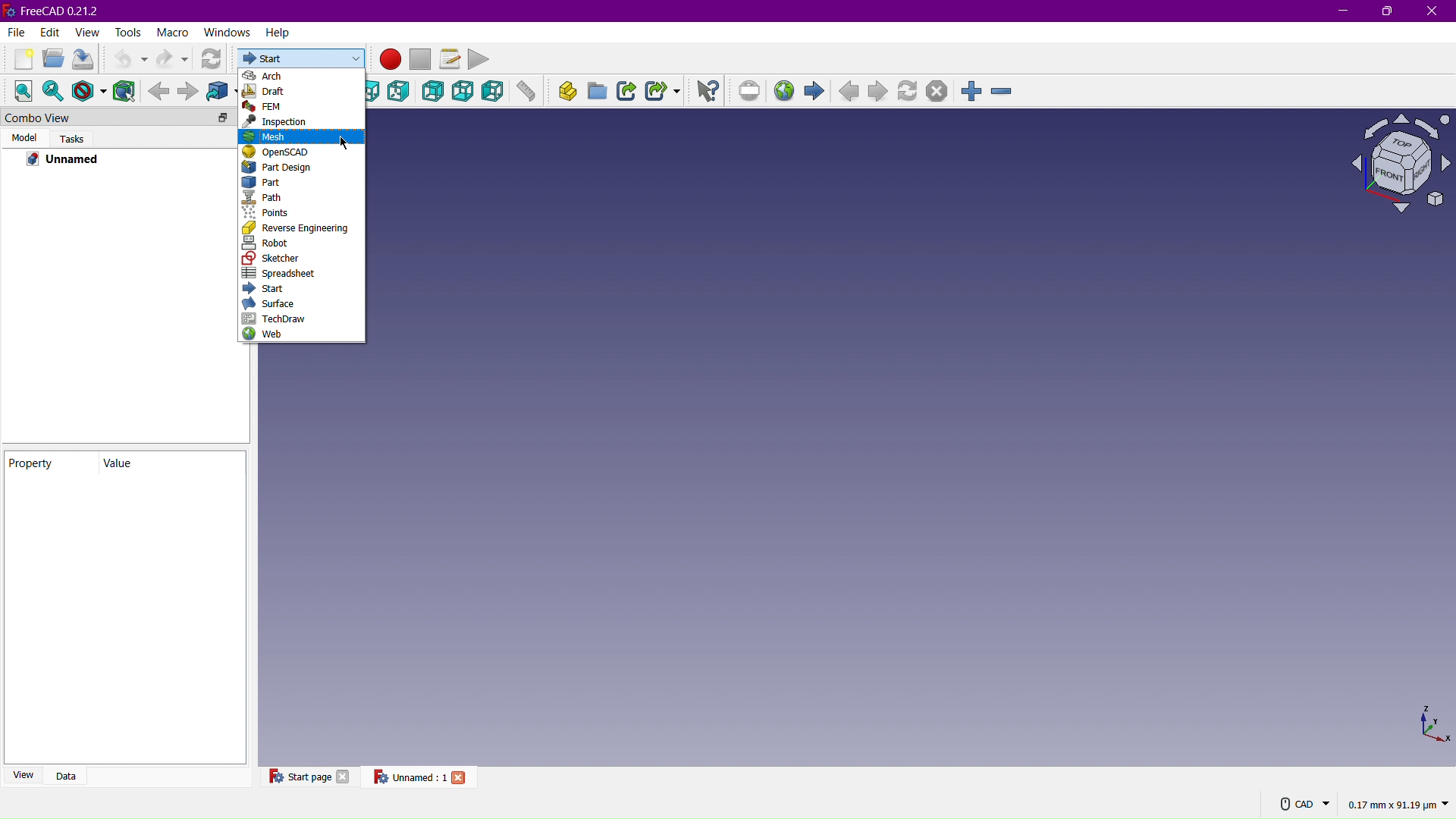 The image size is (1456, 819). I want to click on Start page, so click(298, 776).